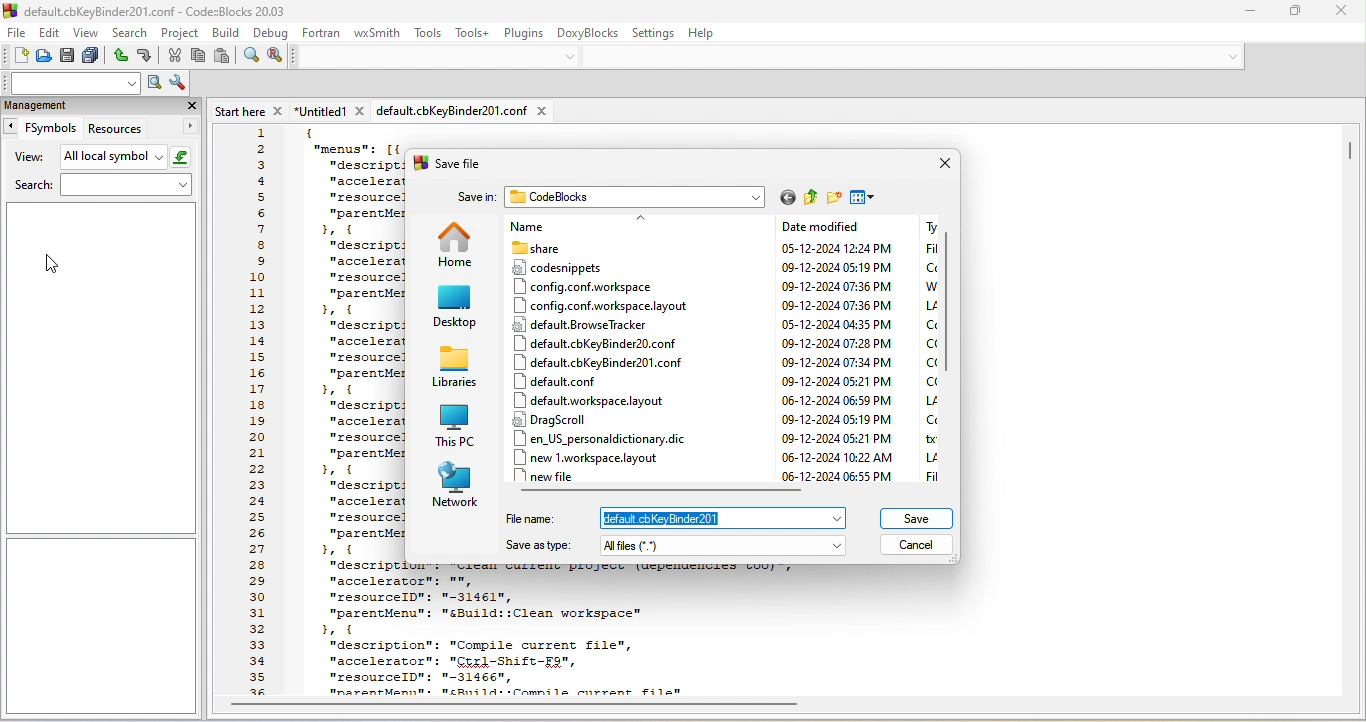 The width and height of the screenshot is (1366, 722). Describe the element at coordinates (380, 32) in the screenshot. I see `wxsmith` at that location.